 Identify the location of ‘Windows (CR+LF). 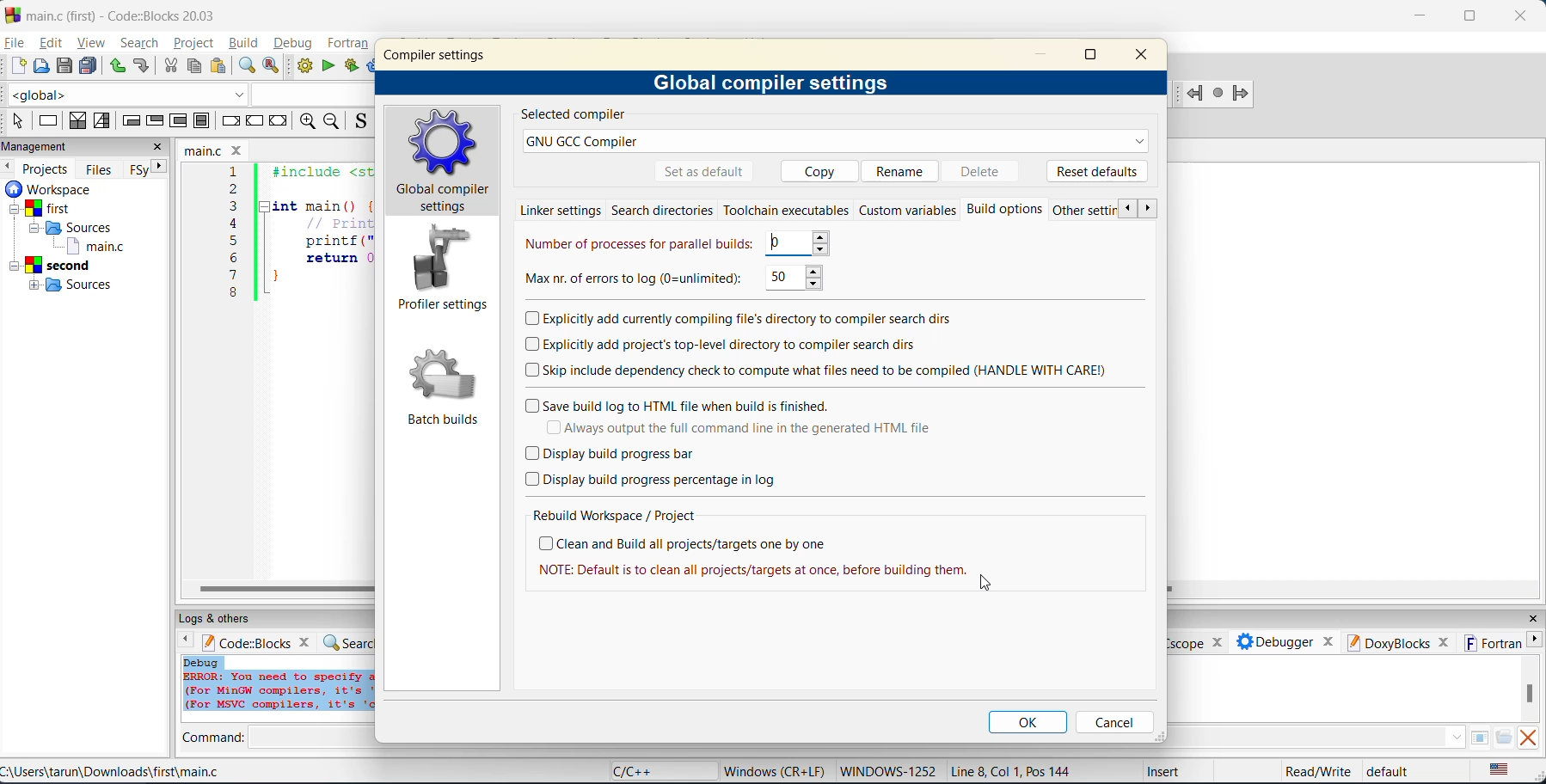
(772, 769).